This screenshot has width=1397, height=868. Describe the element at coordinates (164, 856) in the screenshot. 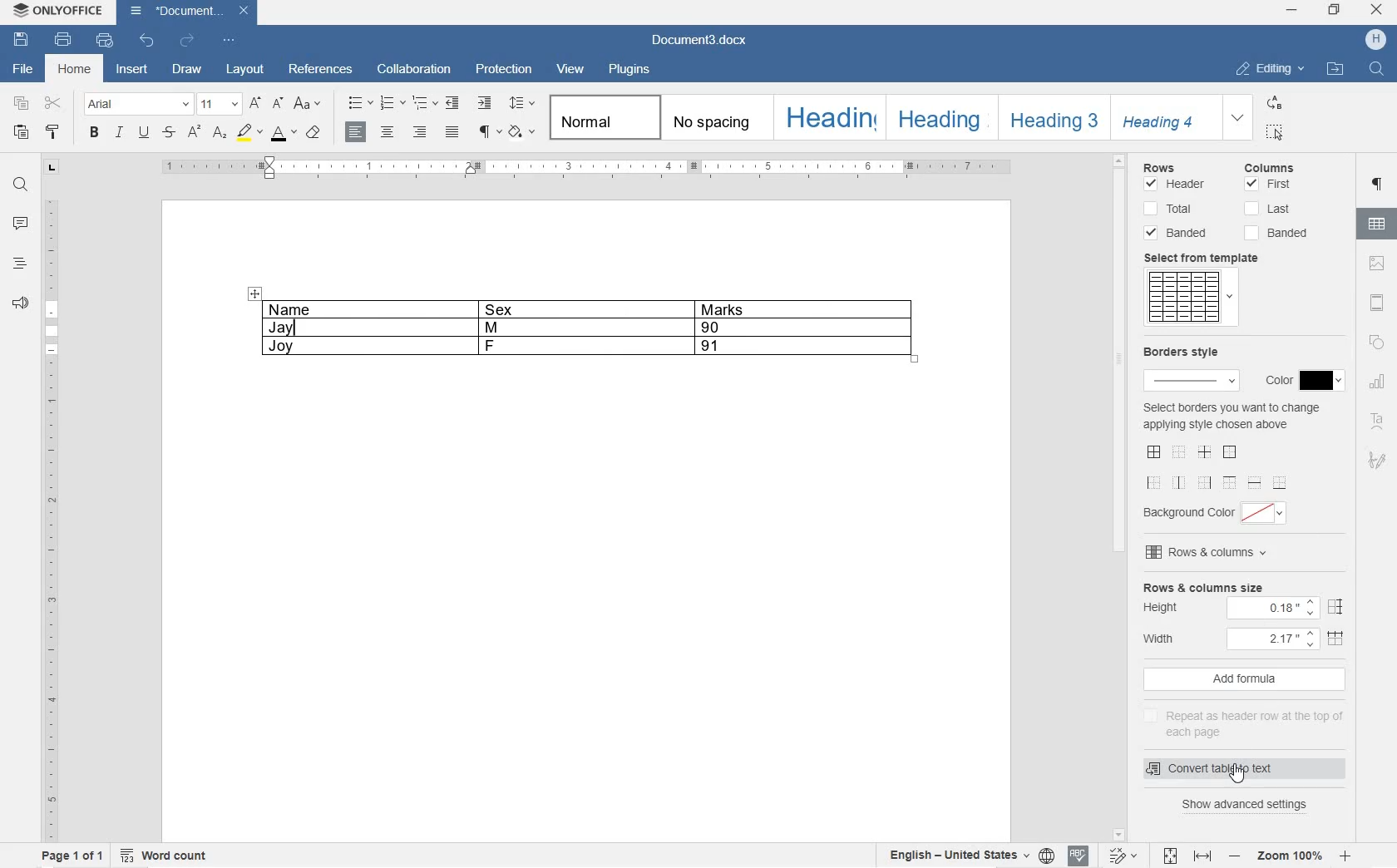

I see `WORD COUNT` at that location.